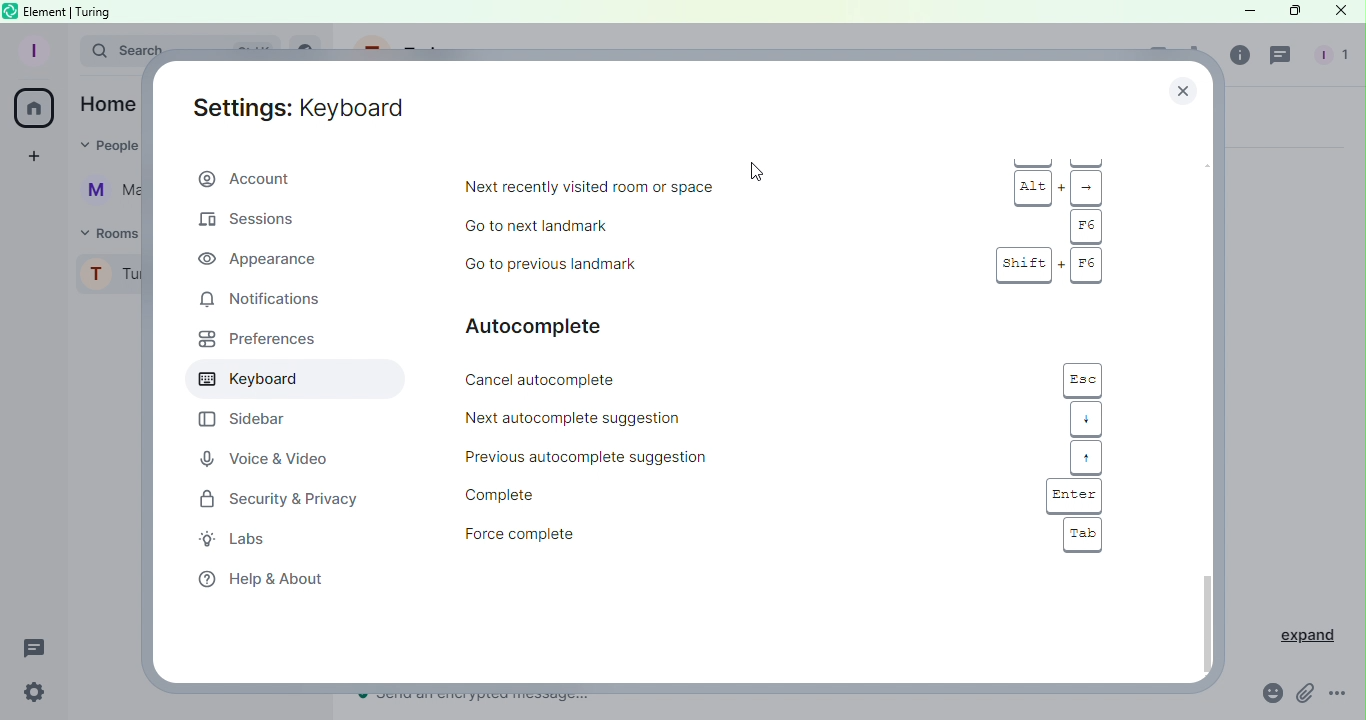 This screenshot has width=1366, height=720. I want to click on Settings: Account, so click(305, 107).